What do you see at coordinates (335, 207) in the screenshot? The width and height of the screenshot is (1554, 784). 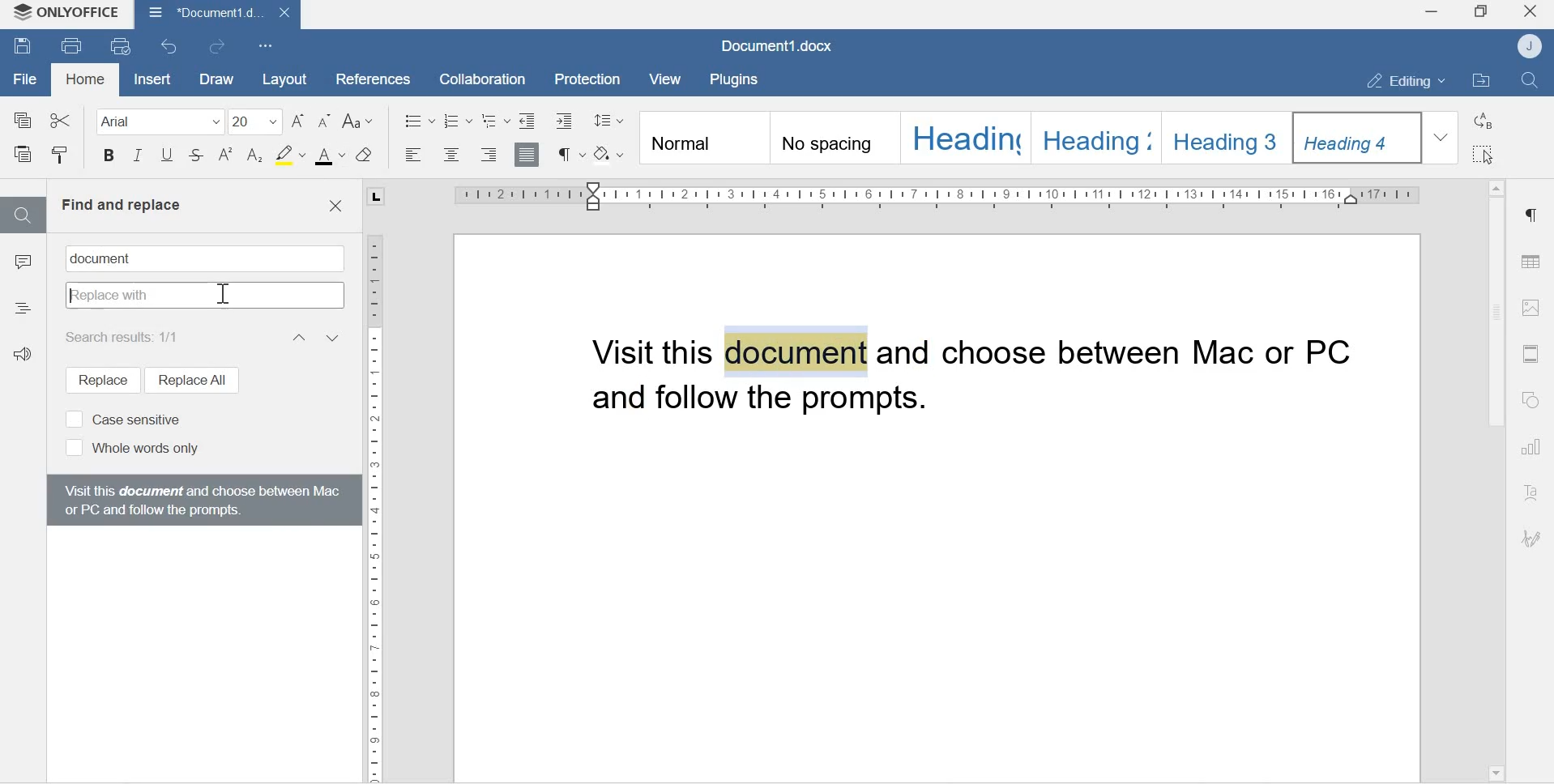 I see `Close find` at bounding box center [335, 207].